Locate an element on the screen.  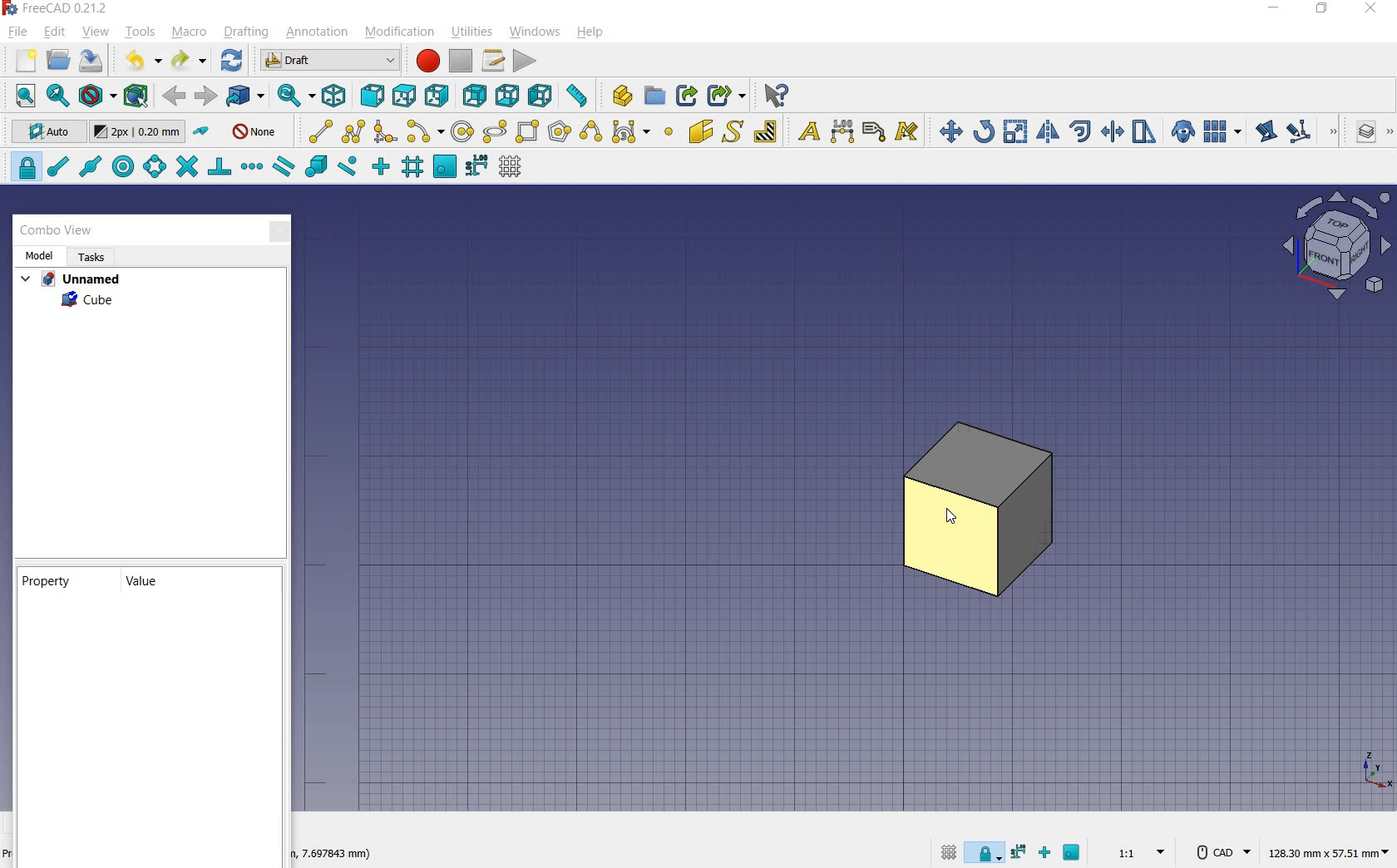
snap angle is located at coordinates (154, 167).